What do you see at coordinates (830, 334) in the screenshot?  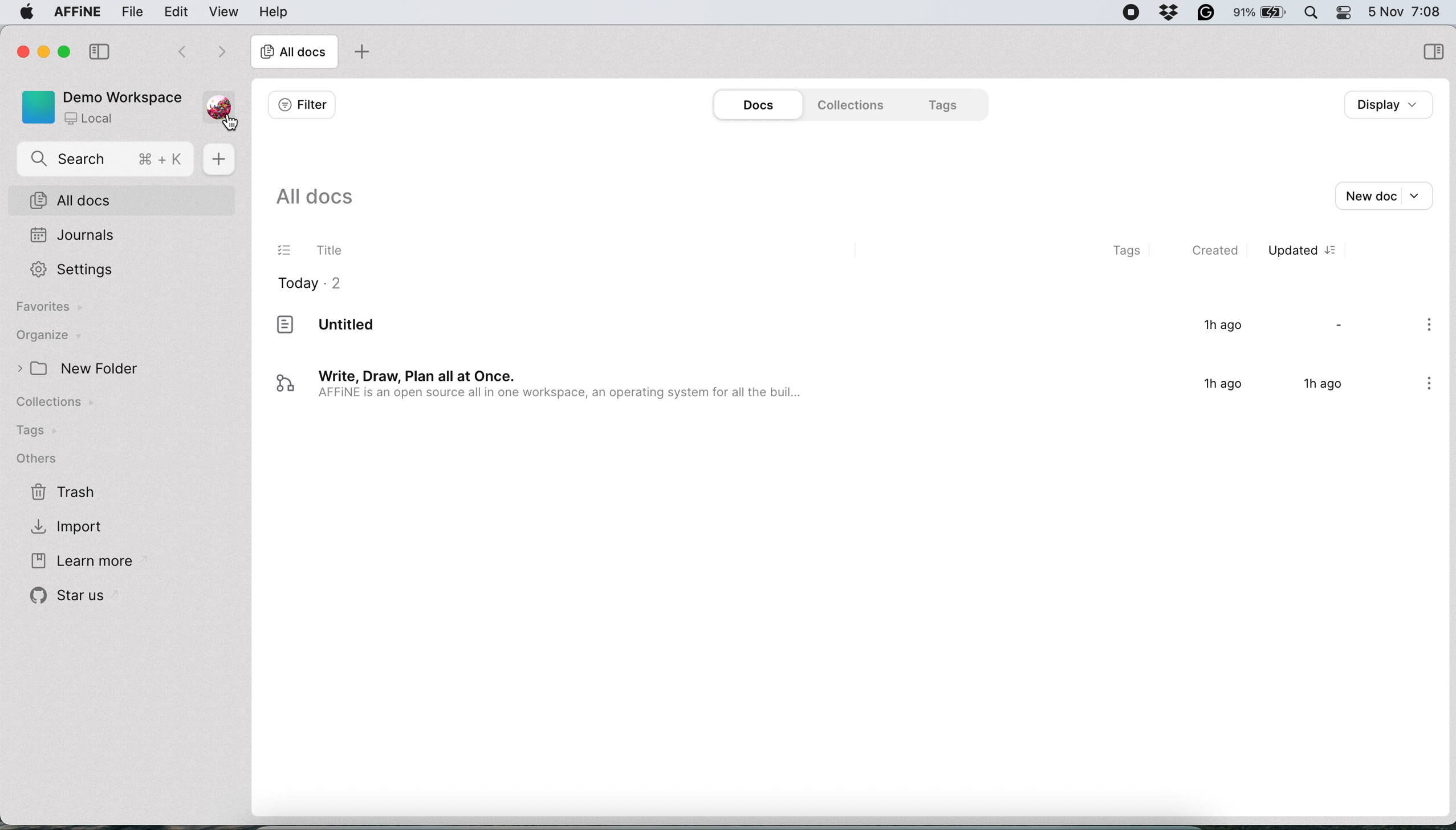 I see ` Untitled 1h ago -` at bounding box center [830, 334].